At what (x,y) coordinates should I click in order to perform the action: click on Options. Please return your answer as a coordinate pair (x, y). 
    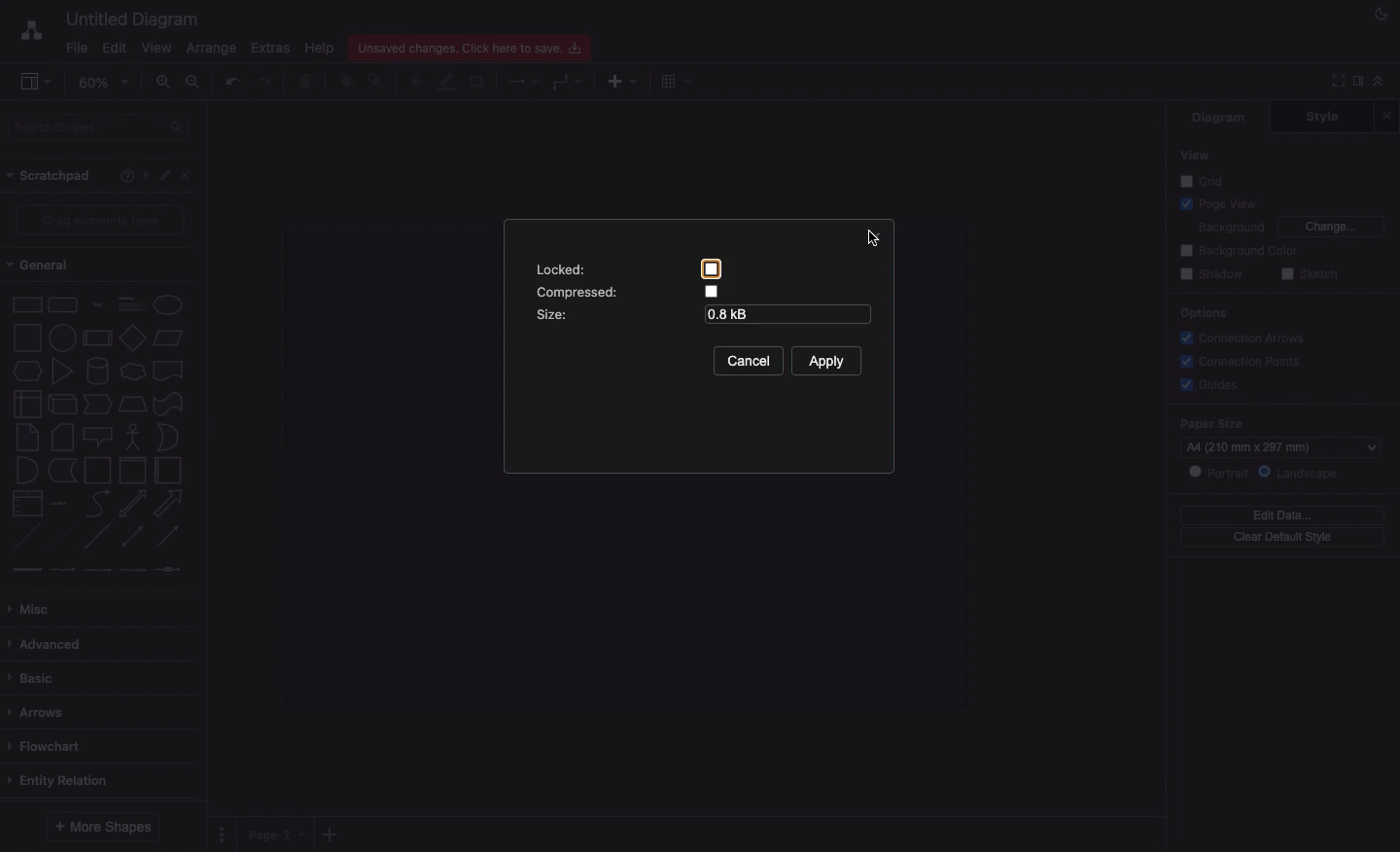
    Looking at the image, I should click on (1203, 315).